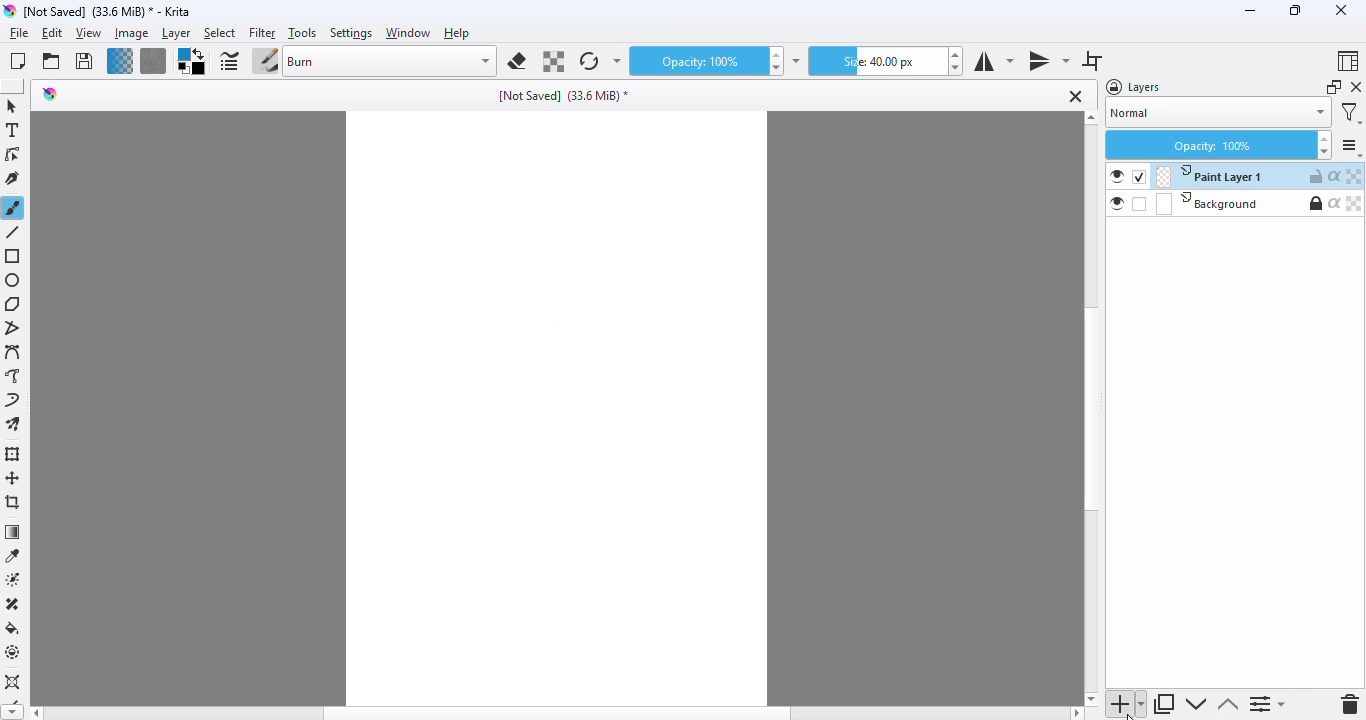 The height and width of the screenshot is (720, 1366). Describe the element at coordinates (15, 329) in the screenshot. I see `polyline tool` at that location.